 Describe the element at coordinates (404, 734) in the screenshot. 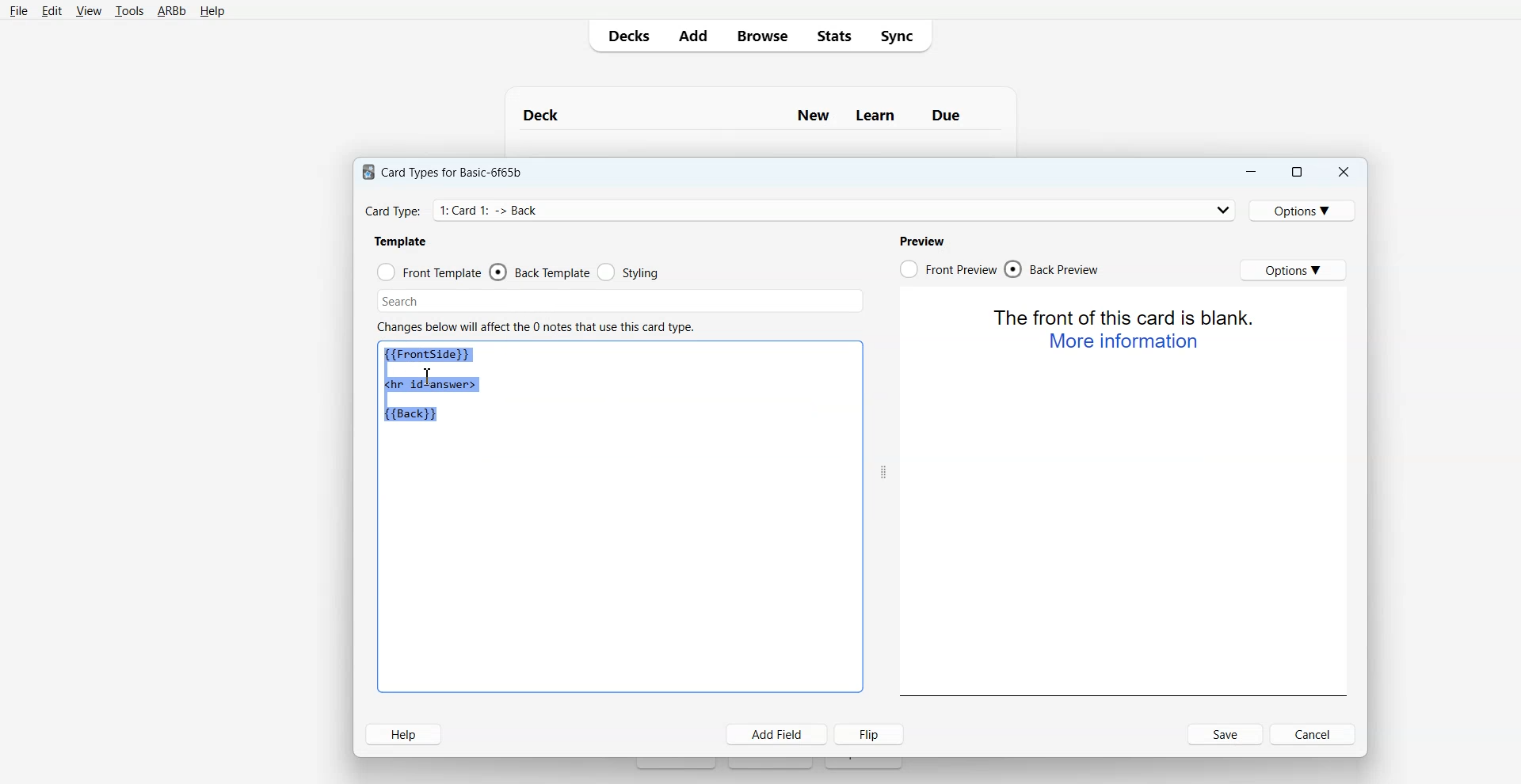

I see `Help` at that location.